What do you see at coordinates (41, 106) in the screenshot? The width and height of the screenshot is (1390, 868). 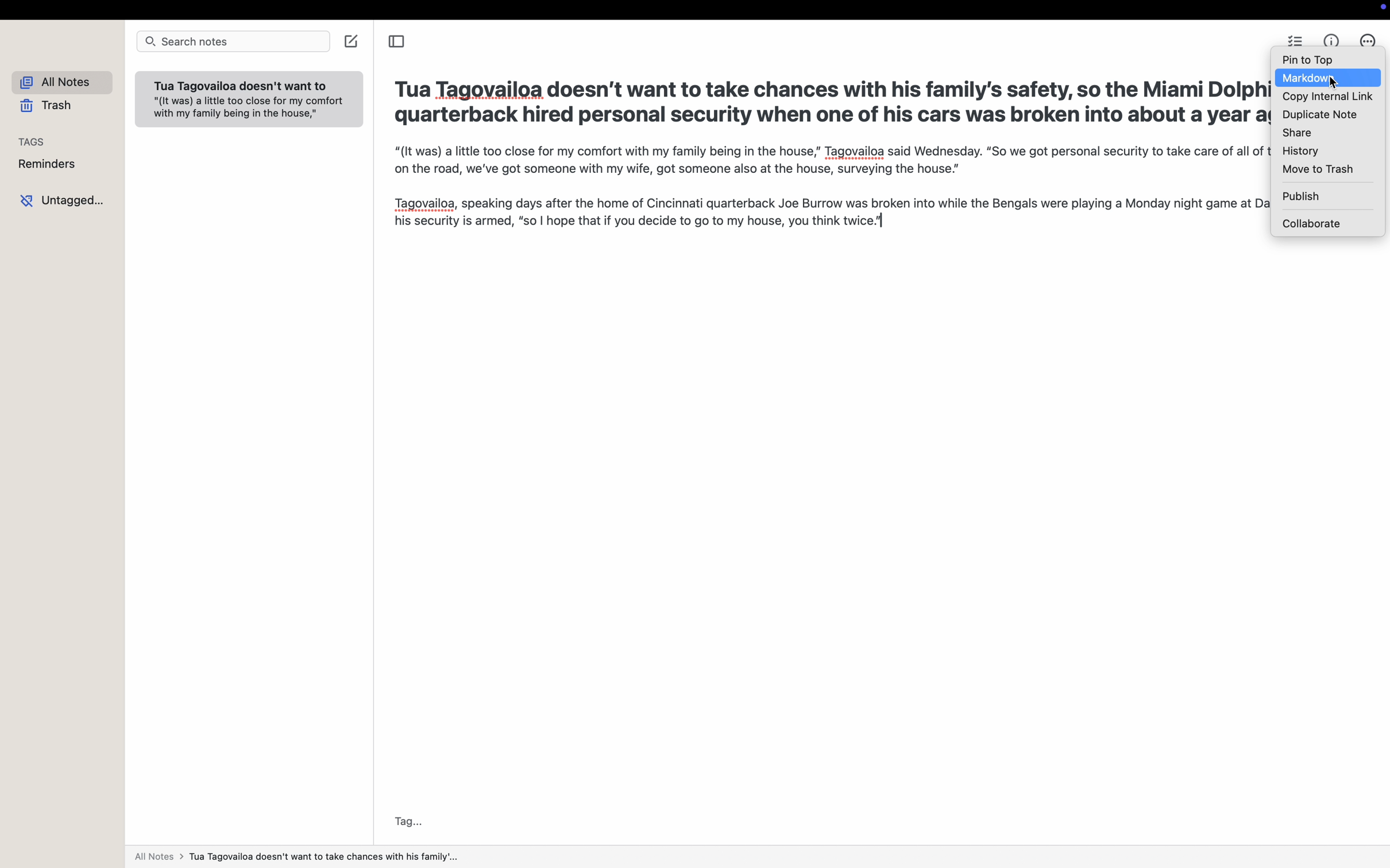 I see `trash` at bounding box center [41, 106].